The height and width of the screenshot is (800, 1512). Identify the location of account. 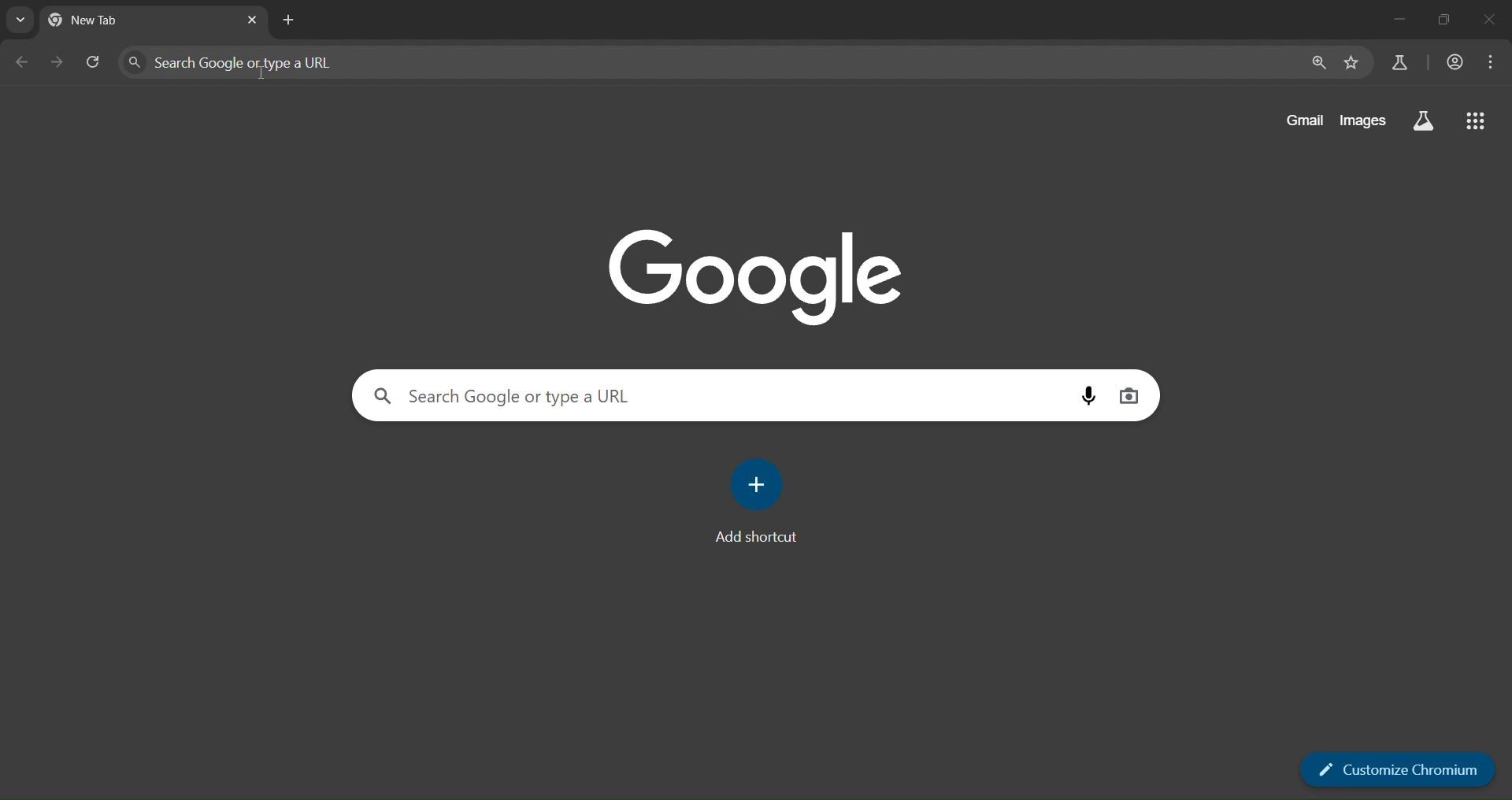
(1452, 64).